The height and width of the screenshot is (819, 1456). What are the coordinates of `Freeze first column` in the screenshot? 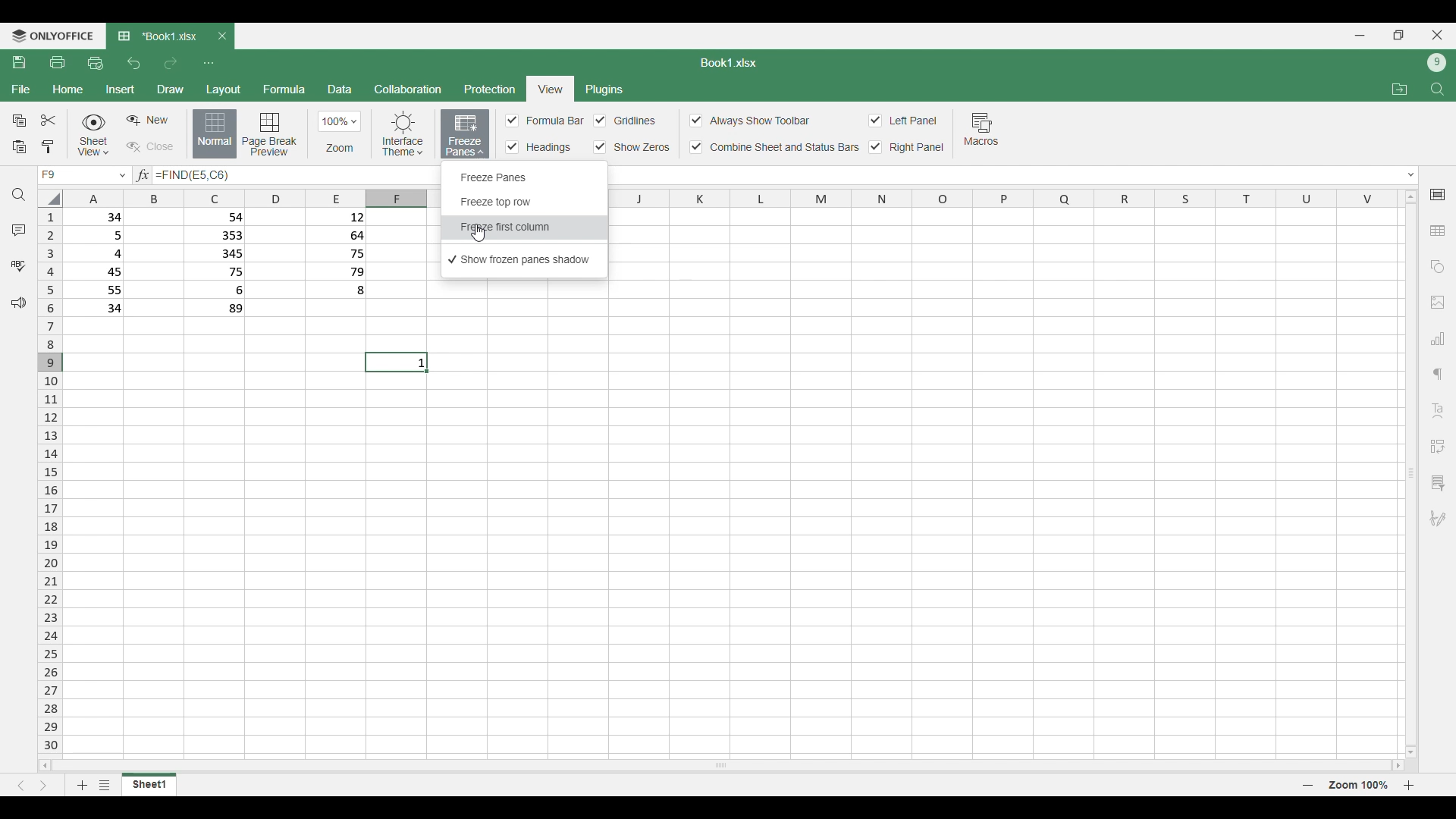 It's located at (524, 227).